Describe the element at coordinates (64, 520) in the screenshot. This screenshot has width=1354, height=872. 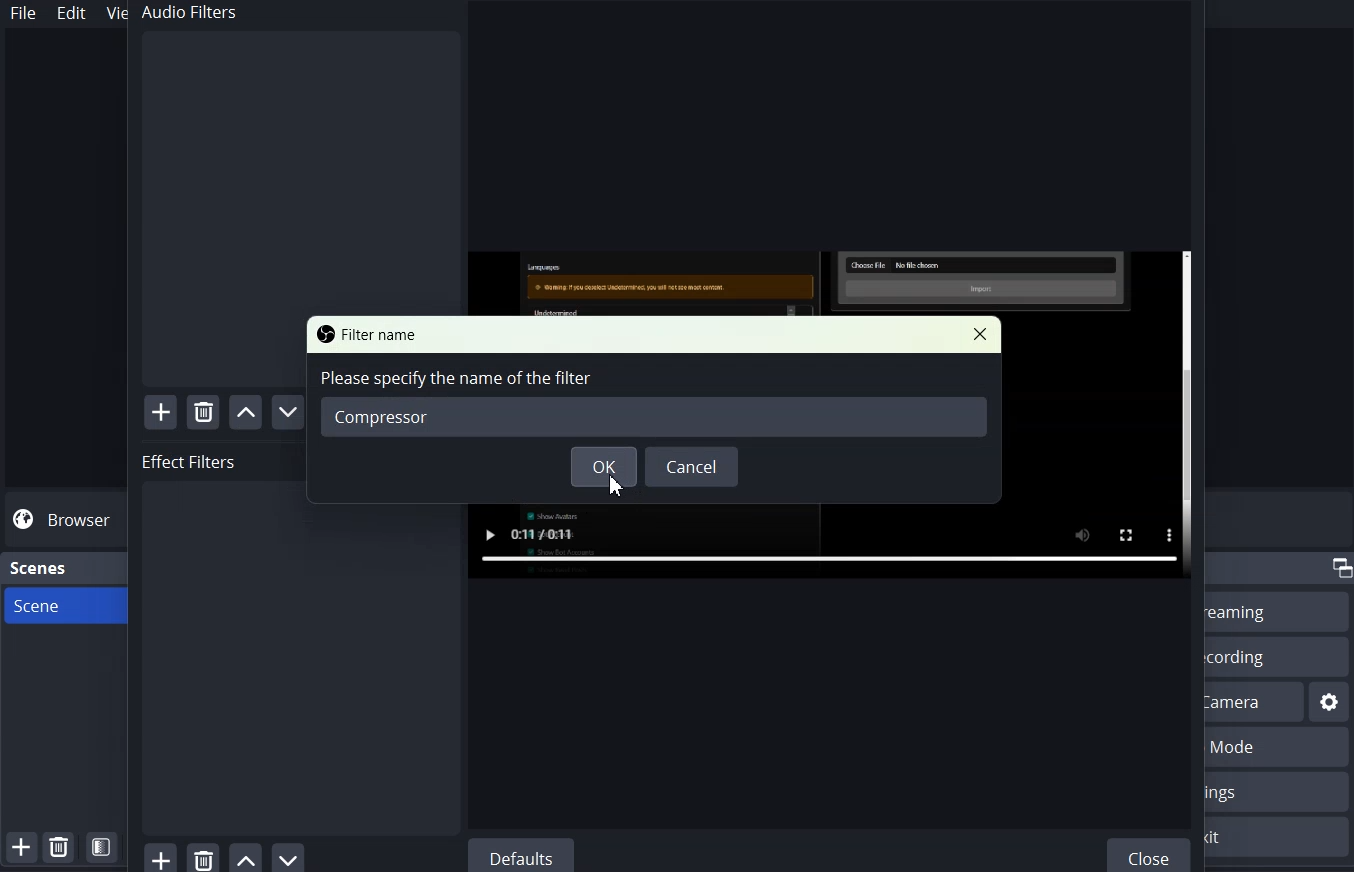
I see `Browse` at that location.